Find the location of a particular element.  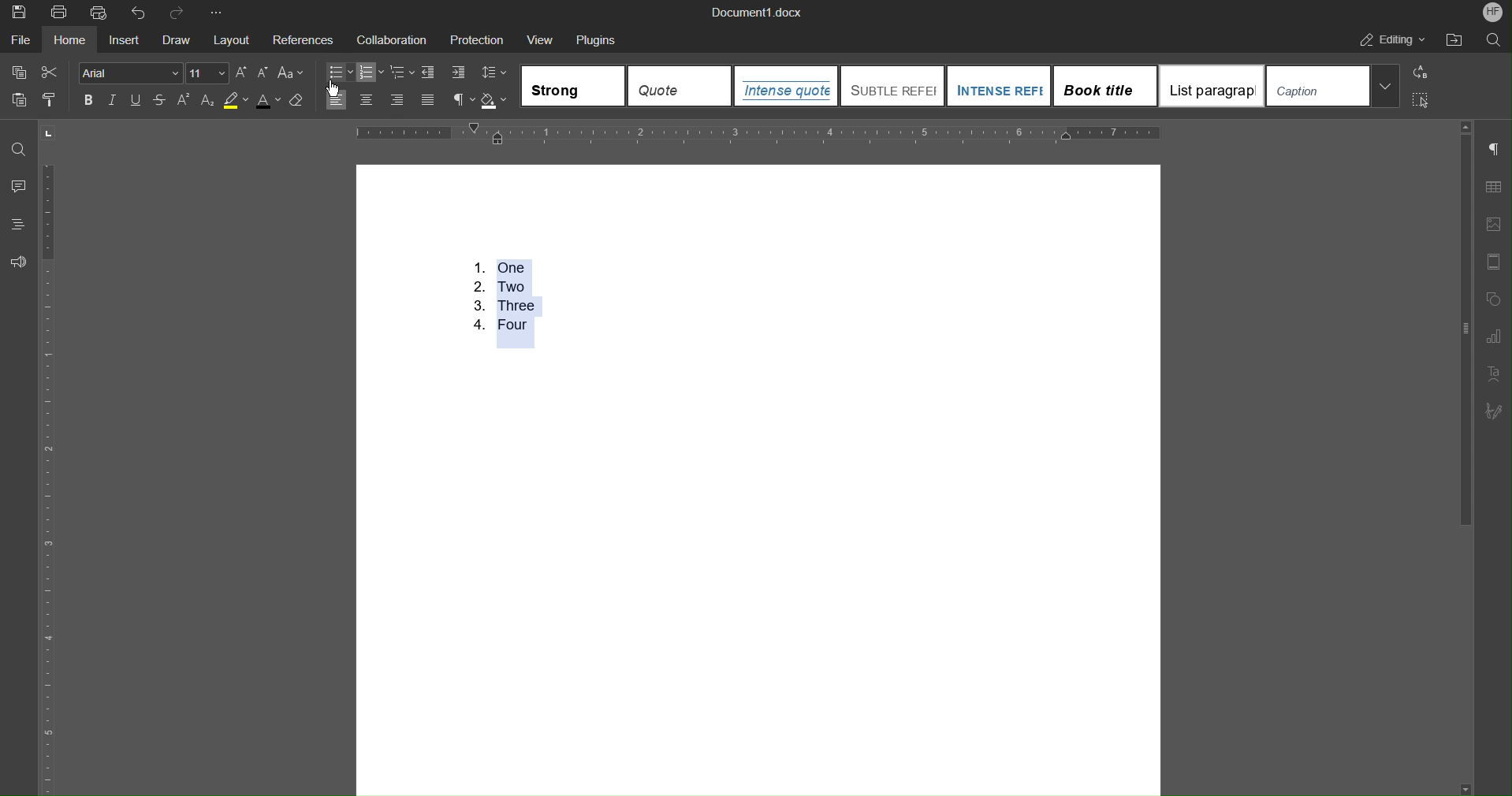

Subscript is located at coordinates (208, 102).